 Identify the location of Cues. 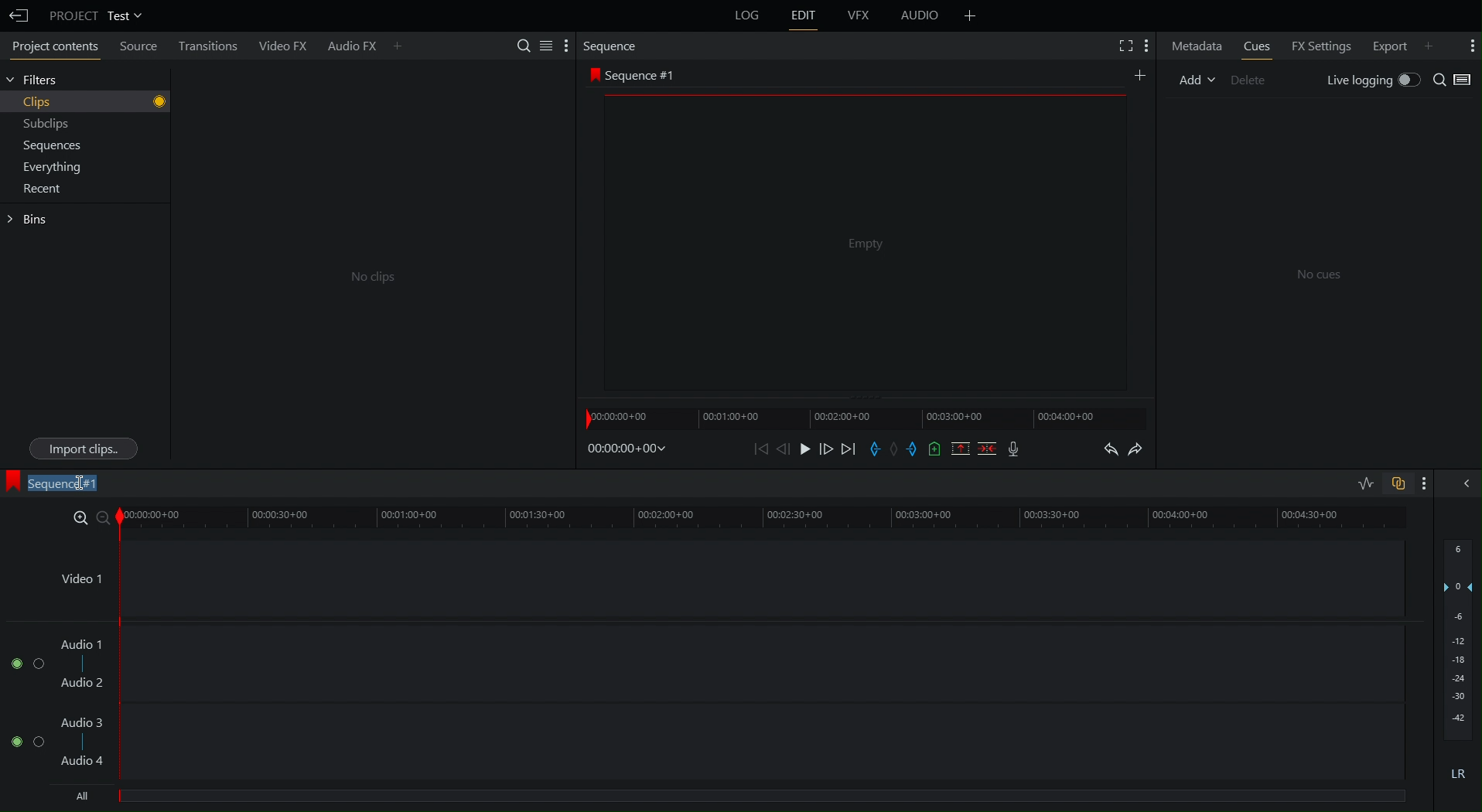
(1255, 44).